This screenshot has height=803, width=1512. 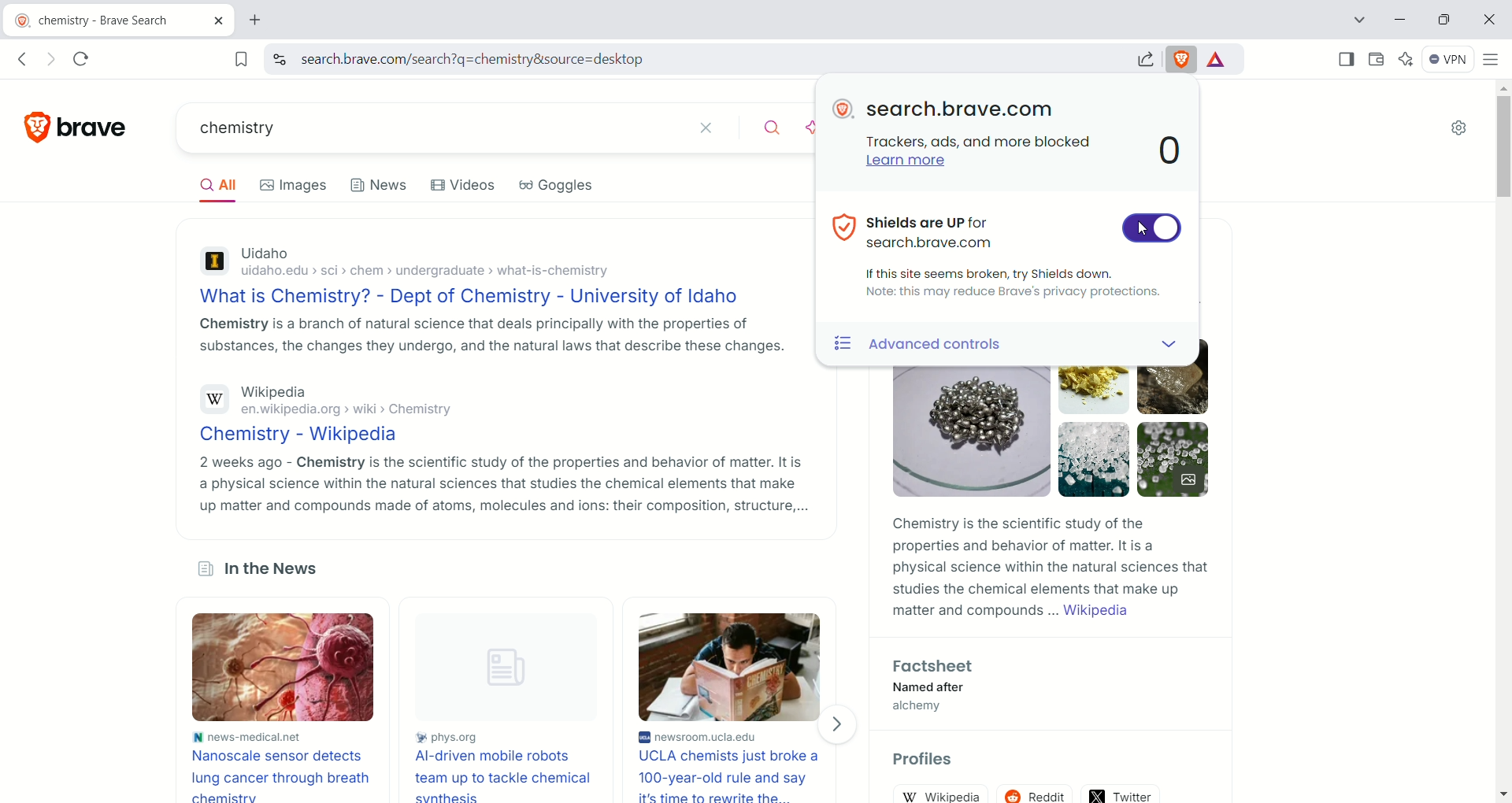 What do you see at coordinates (733, 738) in the screenshot?
I see `newsroom.ucla.edu` at bounding box center [733, 738].